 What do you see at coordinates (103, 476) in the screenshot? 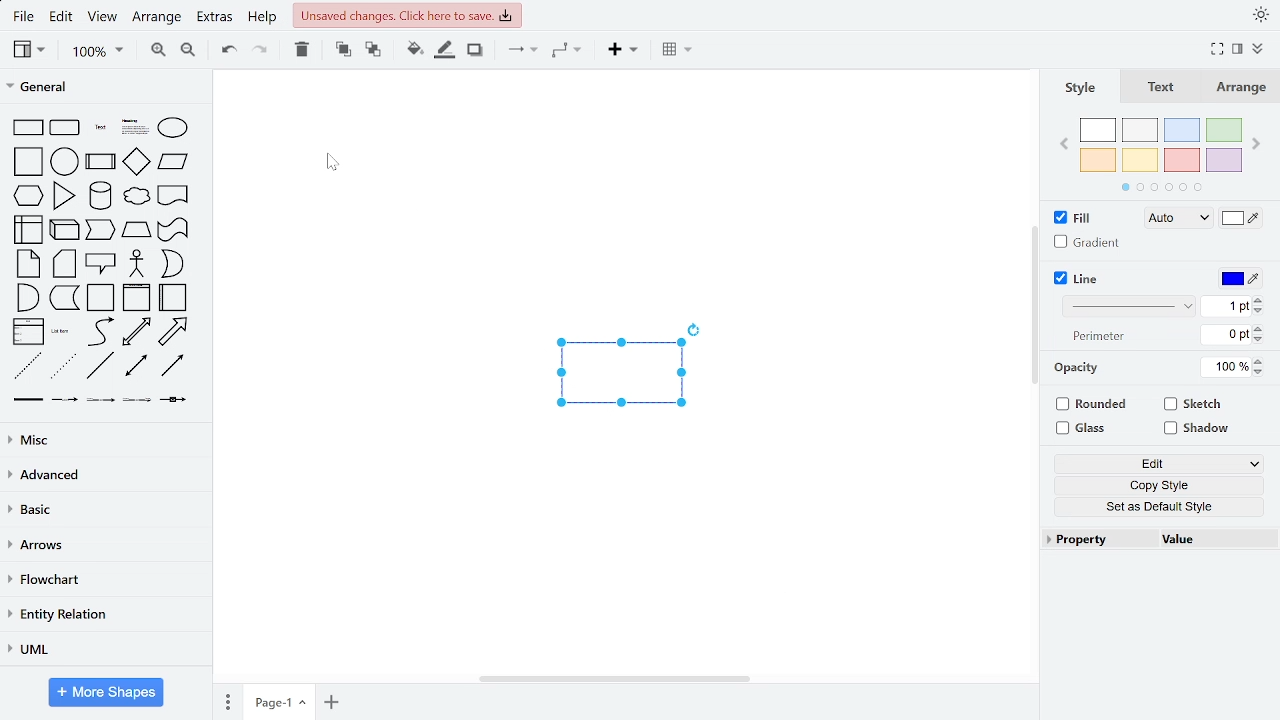
I see `advanced` at bounding box center [103, 476].